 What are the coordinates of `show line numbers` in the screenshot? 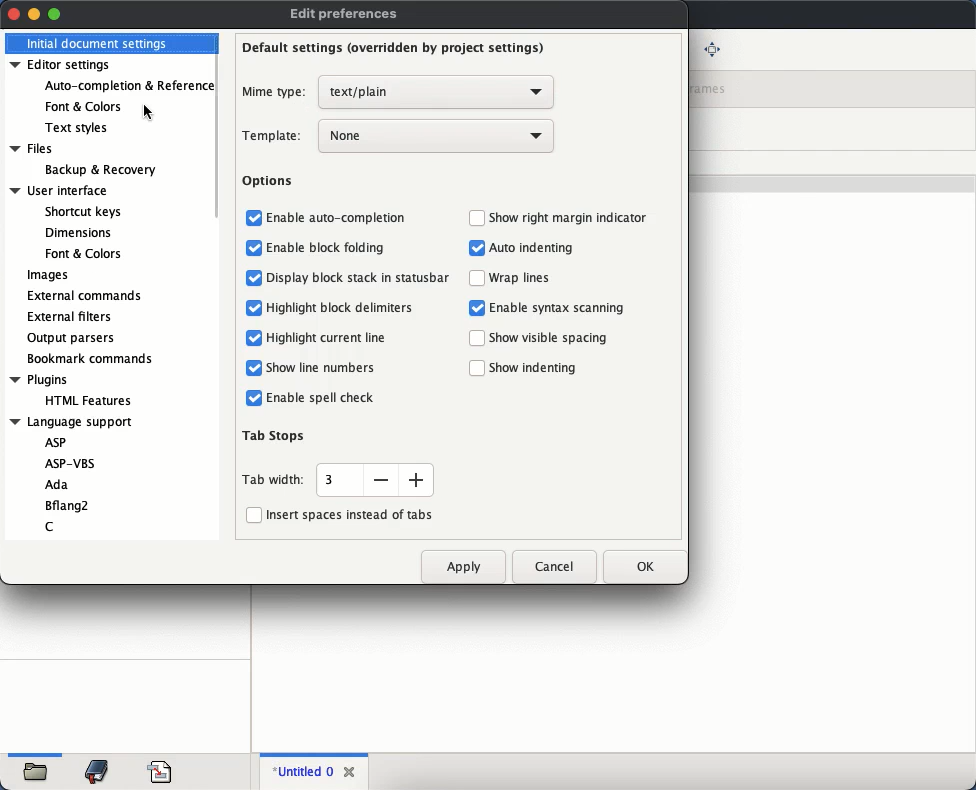 It's located at (310, 368).